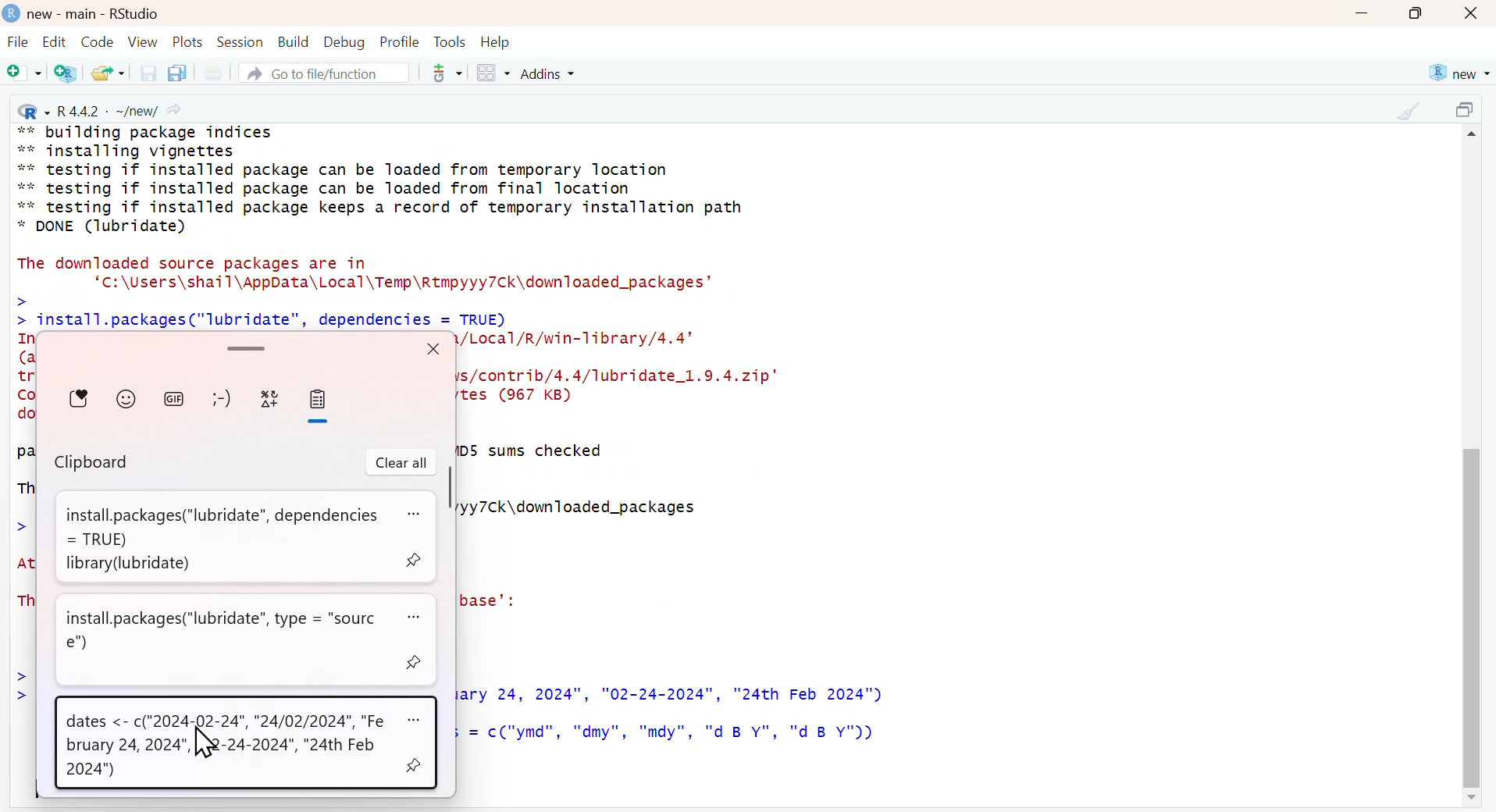  I want to click on pin, so click(417, 663).